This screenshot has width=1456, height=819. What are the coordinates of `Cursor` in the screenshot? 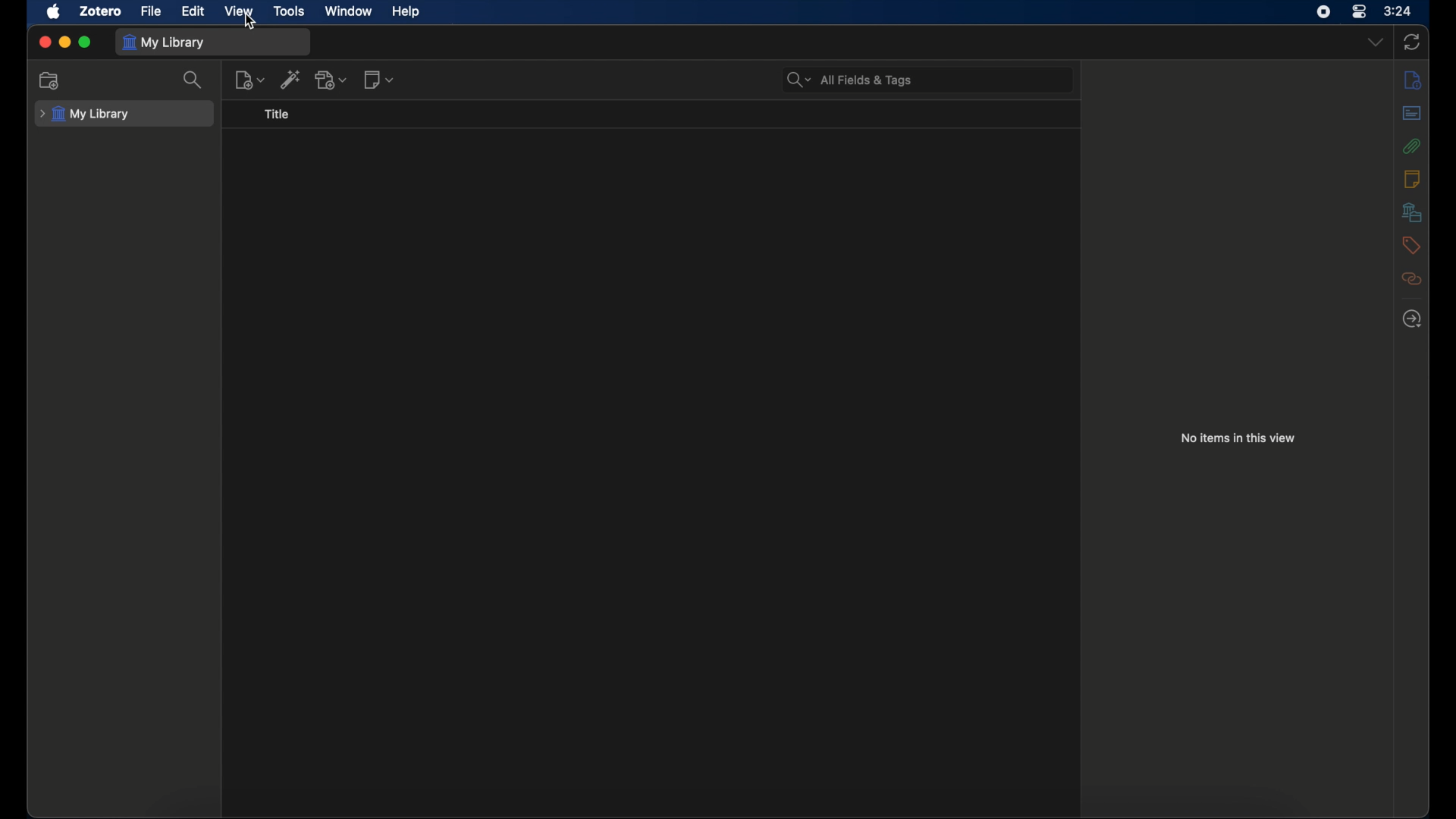 It's located at (251, 23).